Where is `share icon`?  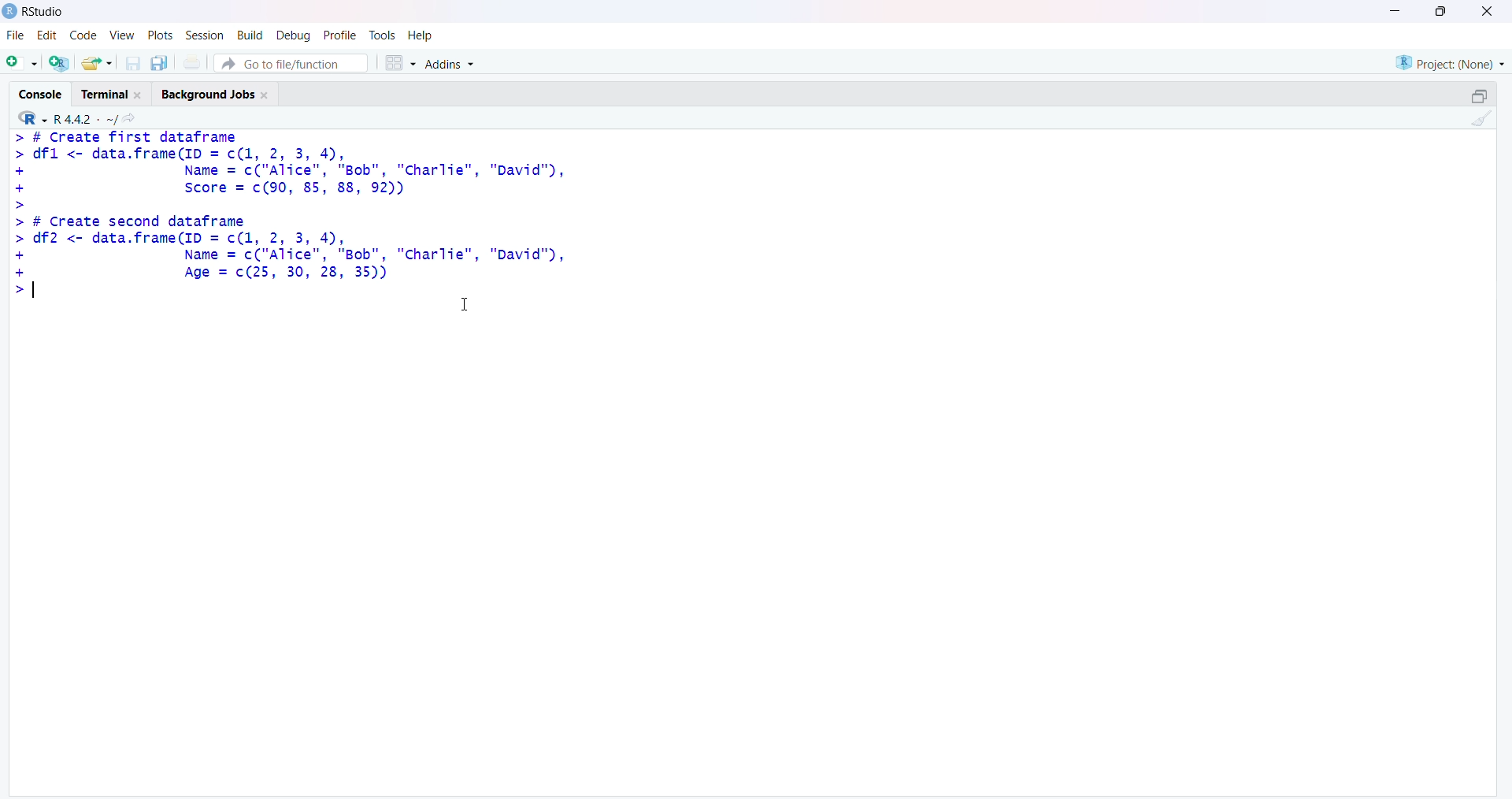
share icon is located at coordinates (130, 118).